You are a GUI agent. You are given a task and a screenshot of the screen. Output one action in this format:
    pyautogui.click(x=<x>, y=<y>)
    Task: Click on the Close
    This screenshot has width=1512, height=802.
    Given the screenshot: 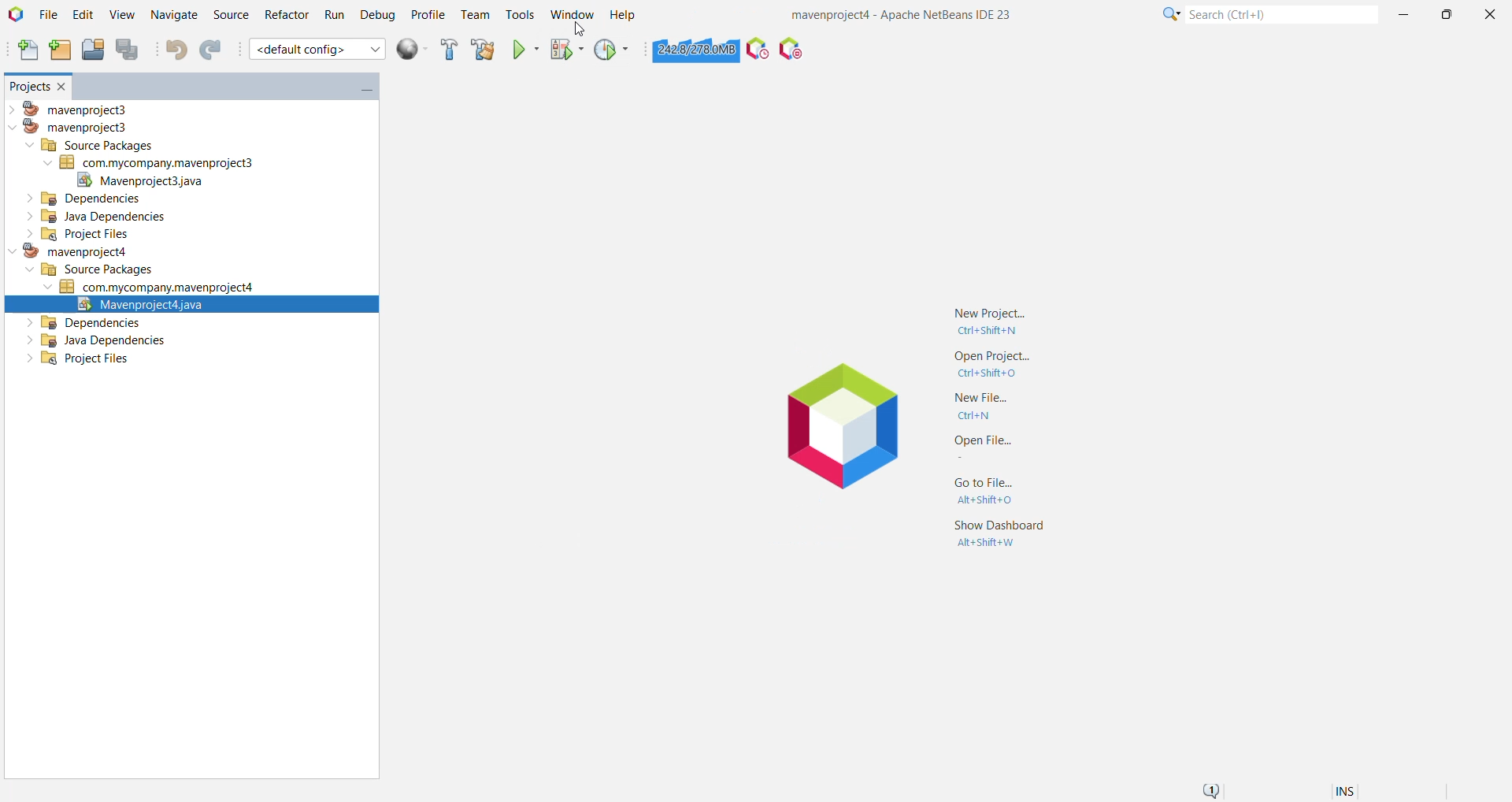 What is the action you would take?
    pyautogui.click(x=1489, y=13)
    